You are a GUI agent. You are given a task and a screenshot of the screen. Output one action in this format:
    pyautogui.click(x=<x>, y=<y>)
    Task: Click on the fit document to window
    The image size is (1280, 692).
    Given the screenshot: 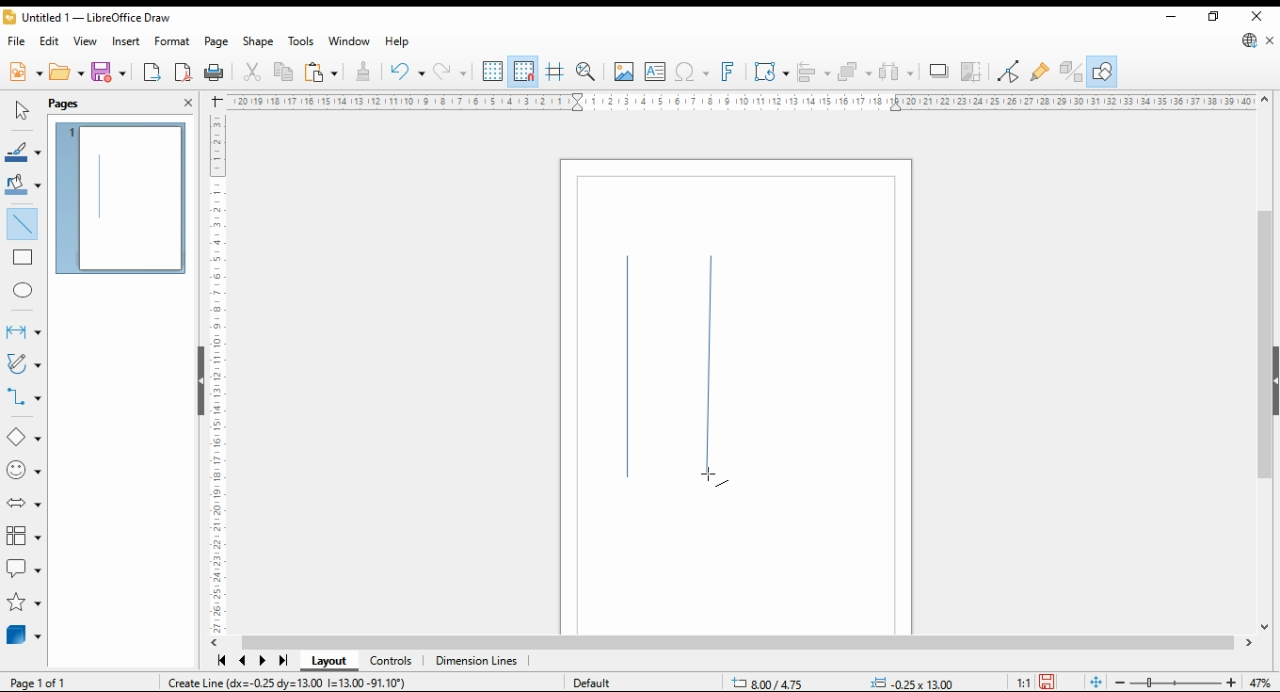 What is the action you would take?
    pyautogui.click(x=1096, y=680)
    